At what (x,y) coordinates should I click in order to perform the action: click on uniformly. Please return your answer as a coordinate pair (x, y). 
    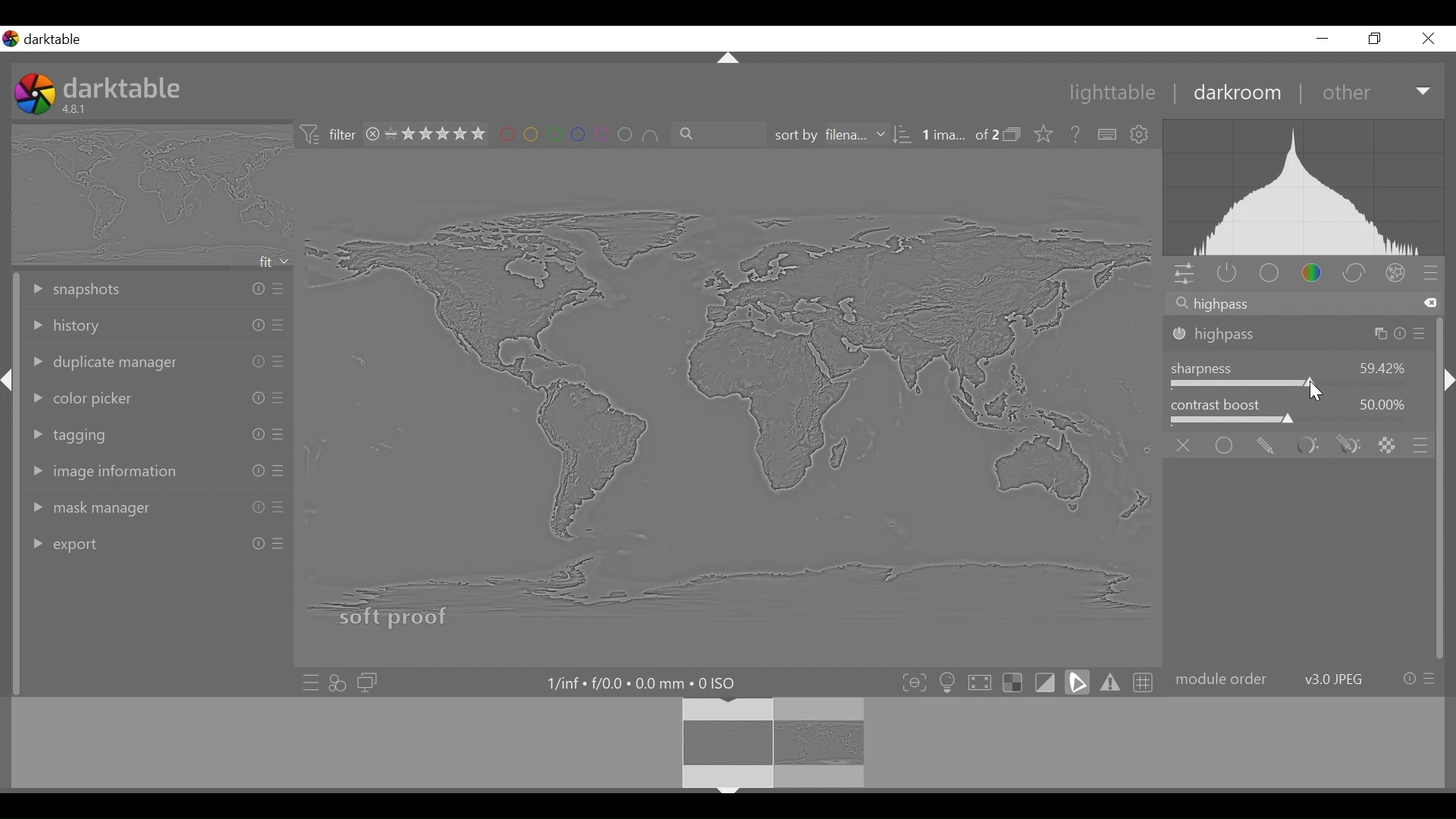
    Looking at the image, I should click on (1225, 446).